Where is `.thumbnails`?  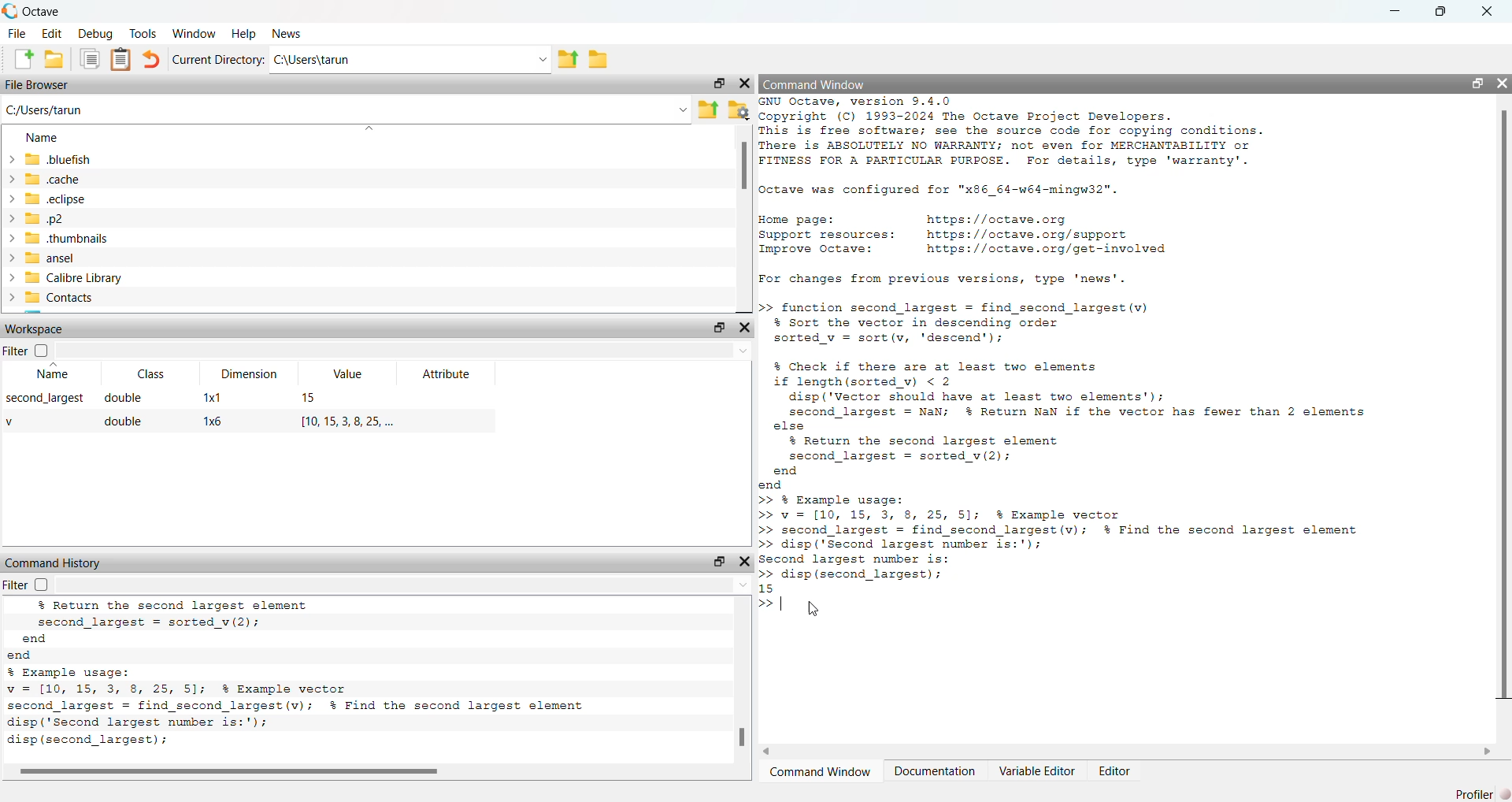
.thumbnails is located at coordinates (74, 238).